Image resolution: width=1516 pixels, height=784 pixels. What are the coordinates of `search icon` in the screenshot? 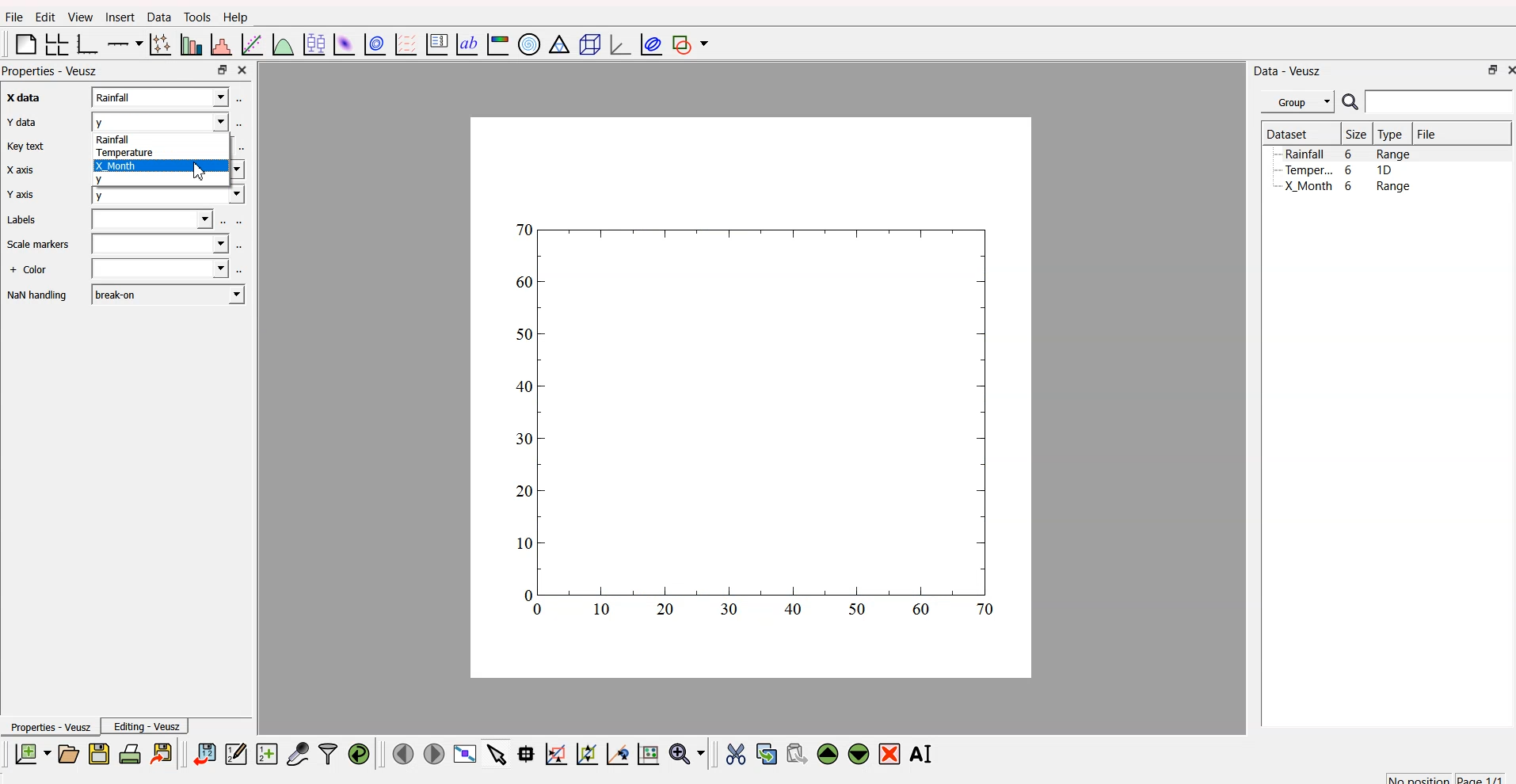 It's located at (1350, 102).